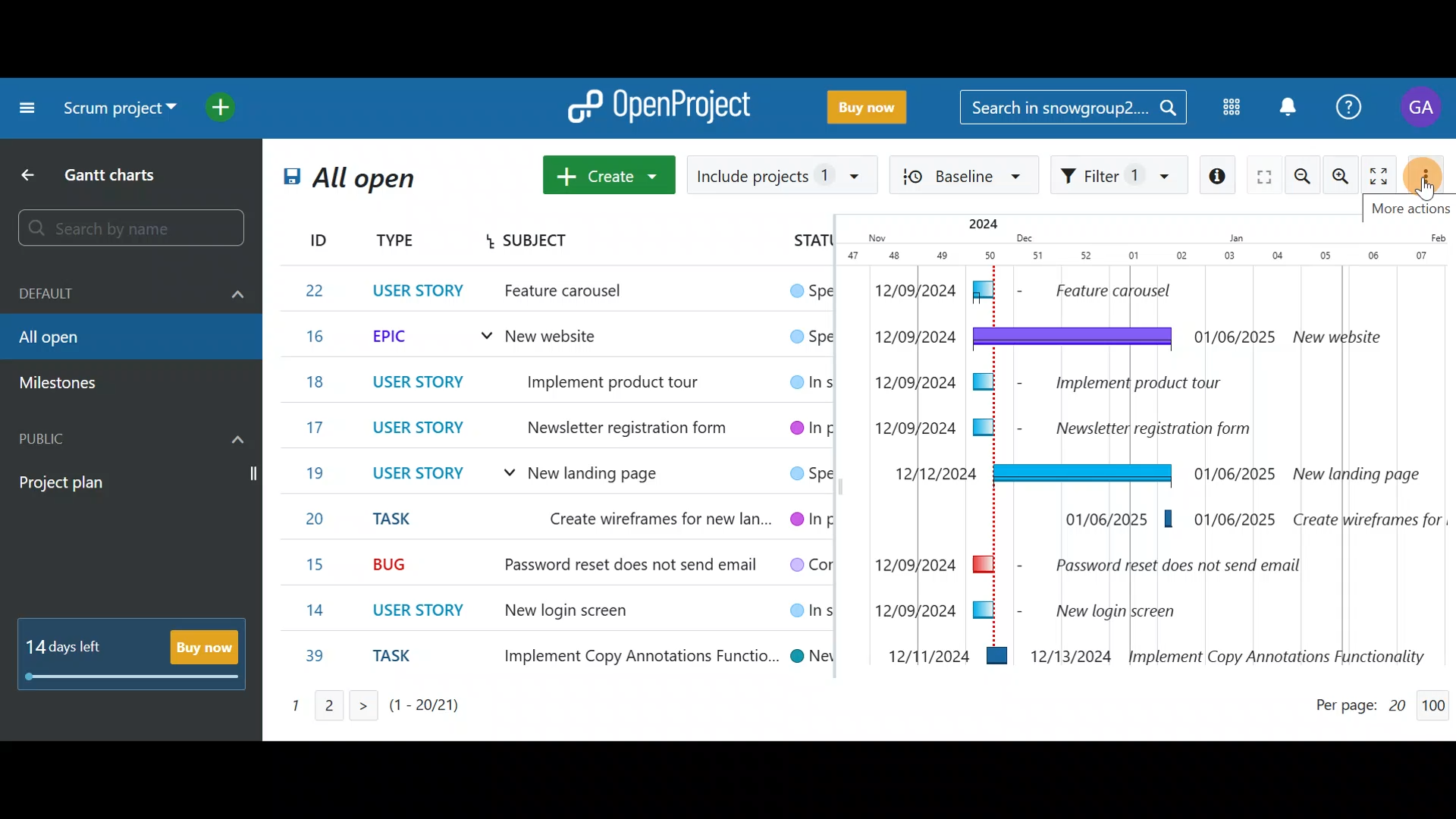 This screenshot has width=1456, height=819. I want to click on Open details view, so click(1220, 176).